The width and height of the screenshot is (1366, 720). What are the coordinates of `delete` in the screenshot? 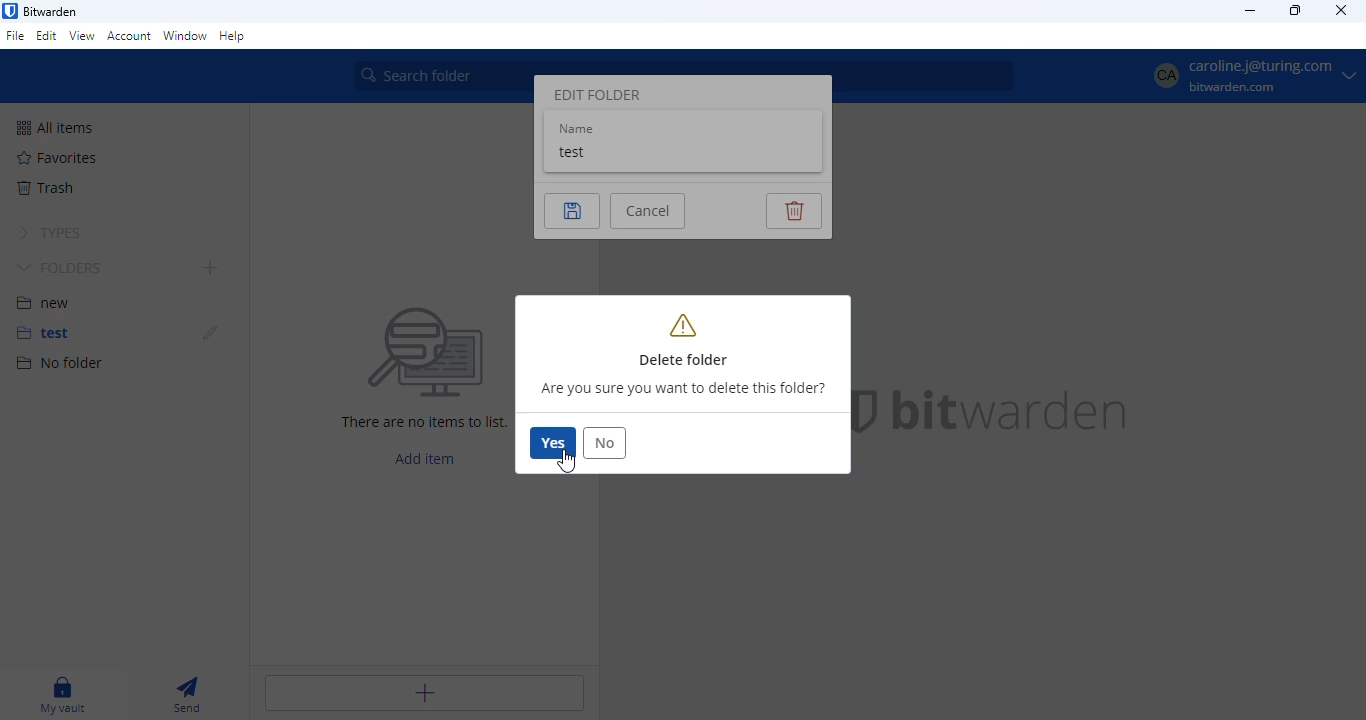 It's located at (794, 212).